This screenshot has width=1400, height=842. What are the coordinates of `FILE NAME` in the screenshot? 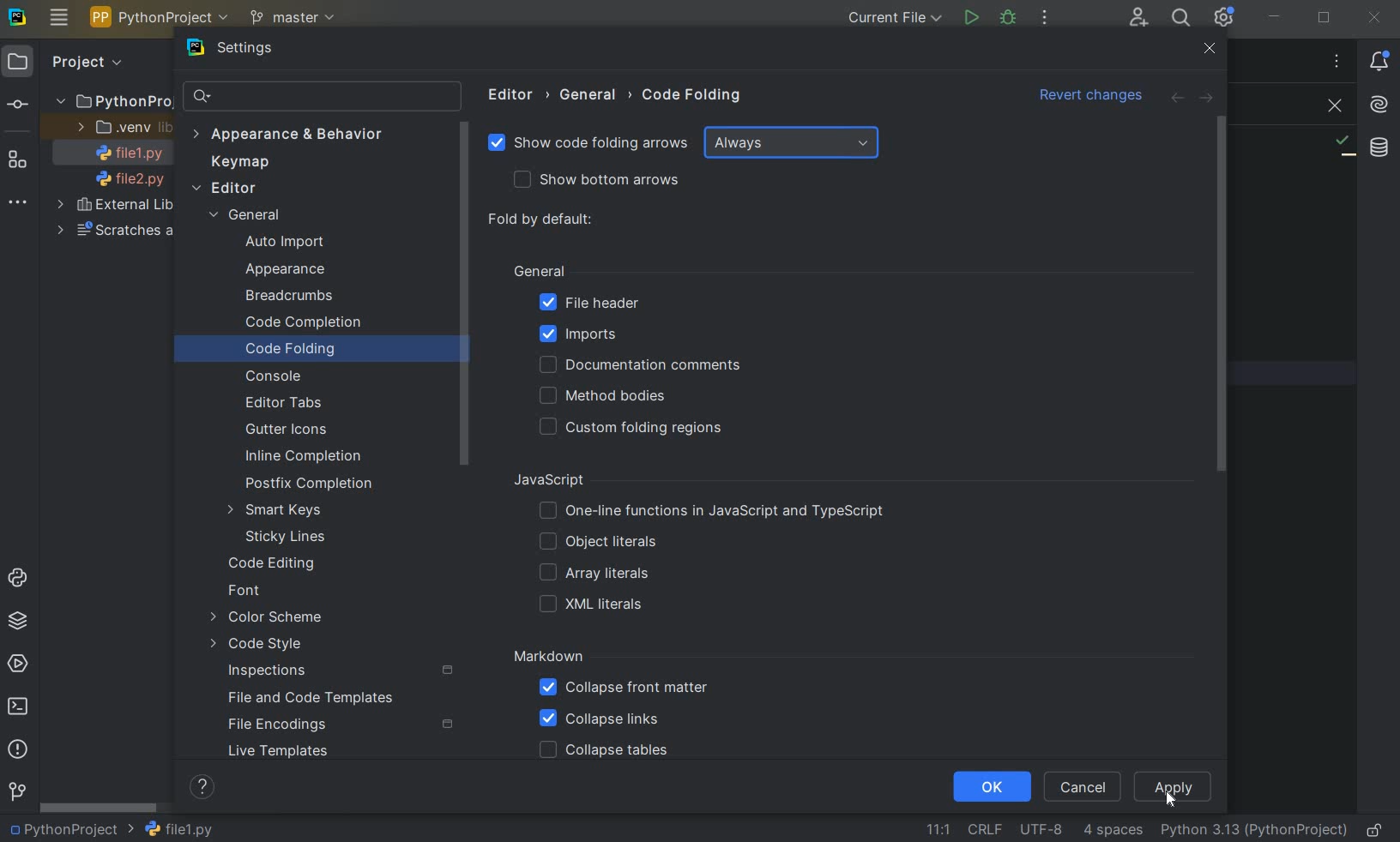 It's located at (178, 829).